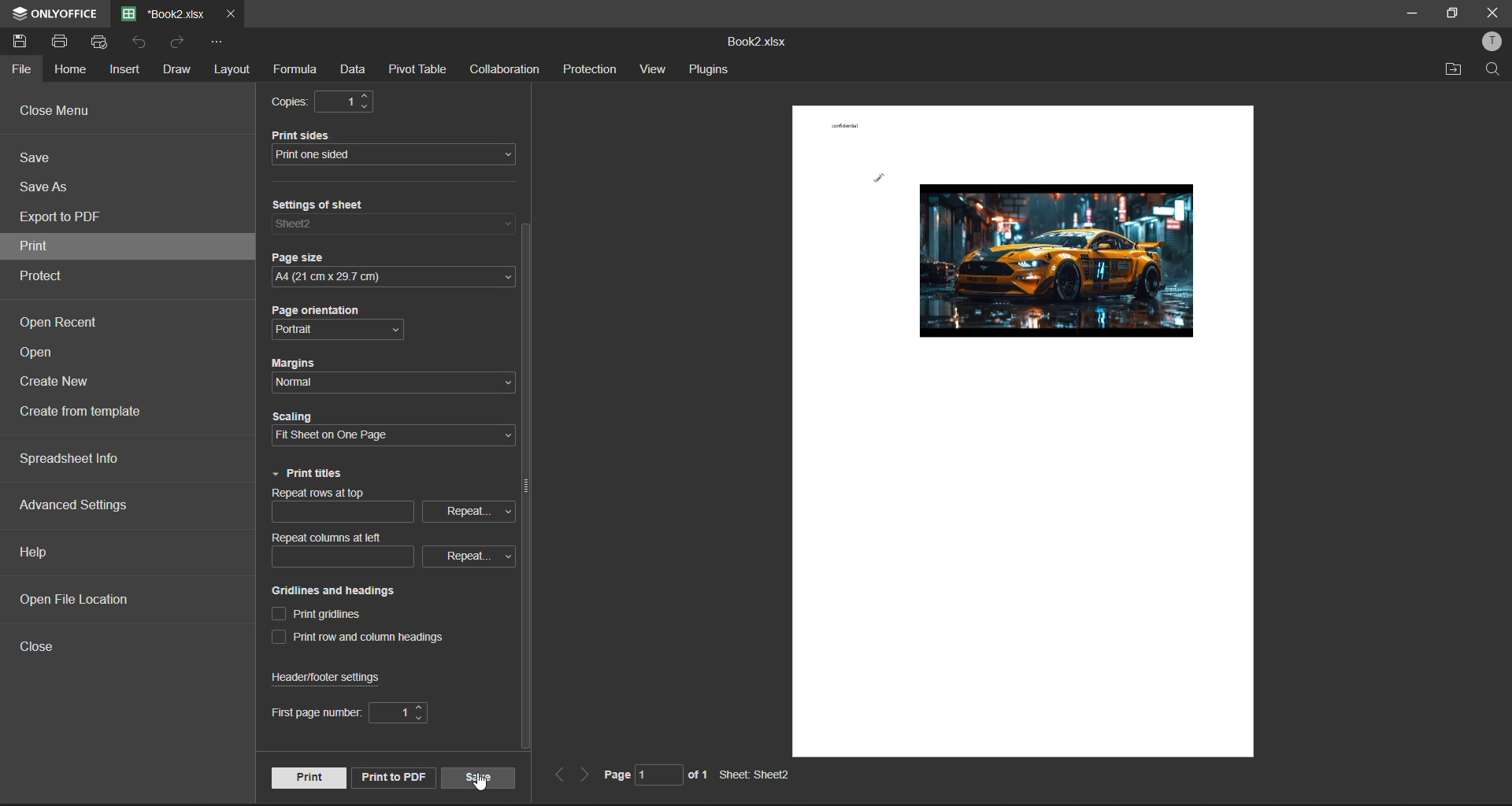  What do you see at coordinates (24, 40) in the screenshot?
I see `save` at bounding box center [24, 40].